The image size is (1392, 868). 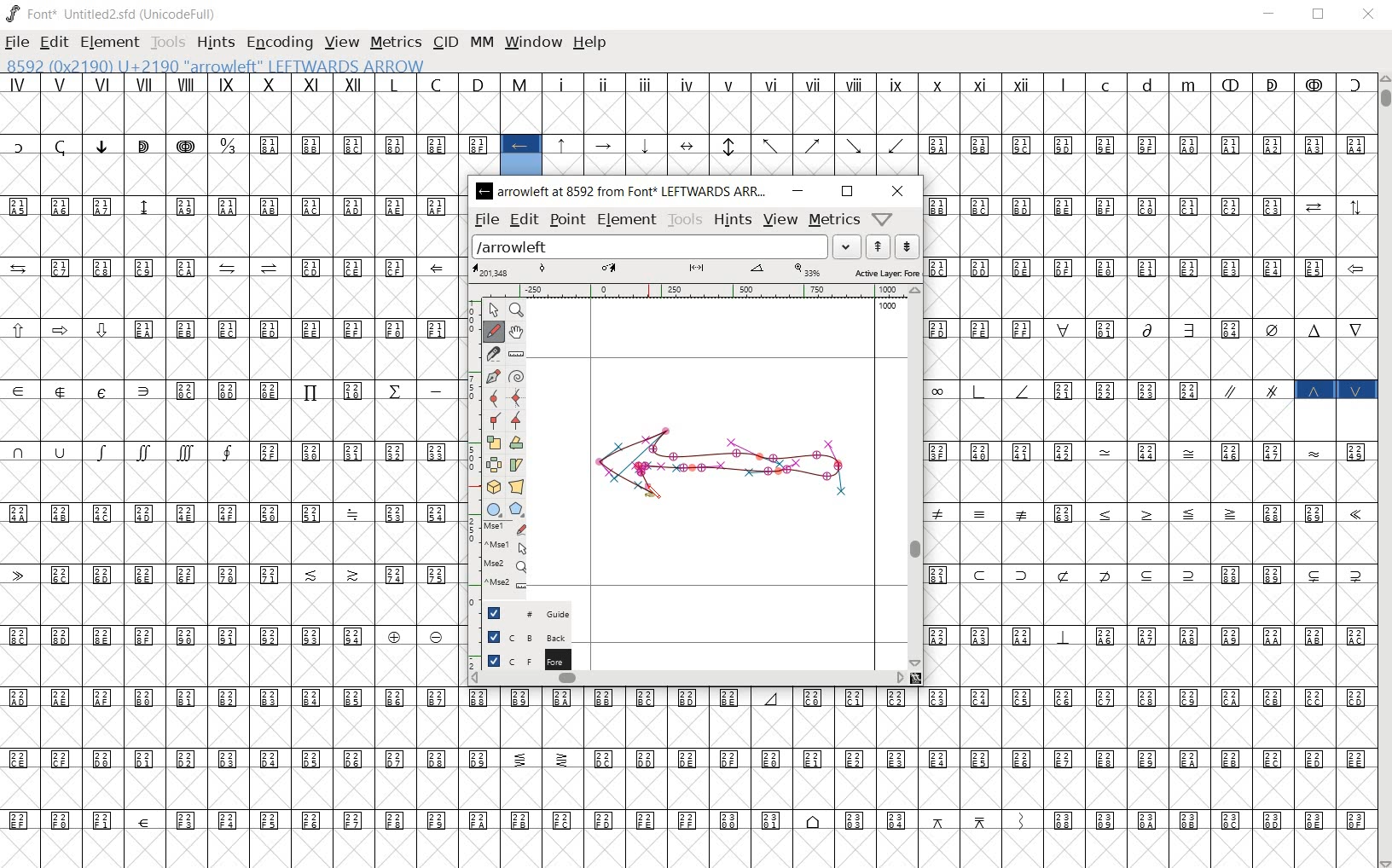 What do you see at coordinates (565, 218) in the screenshot?
I see `point` at bounding box center [565, 218].